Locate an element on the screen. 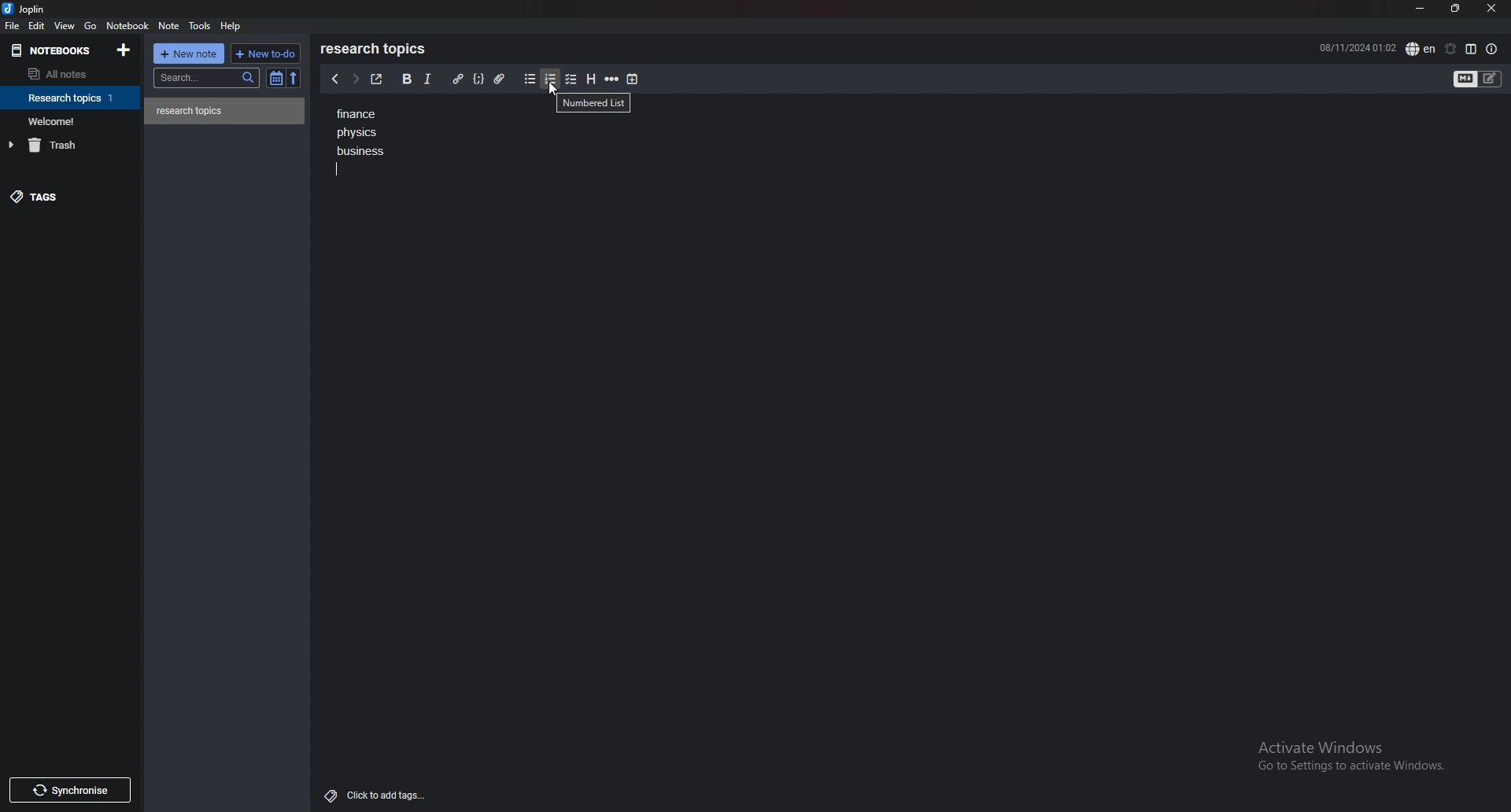 This screenshot has height=812, width=1511. file is located at coordinates (13, 26).